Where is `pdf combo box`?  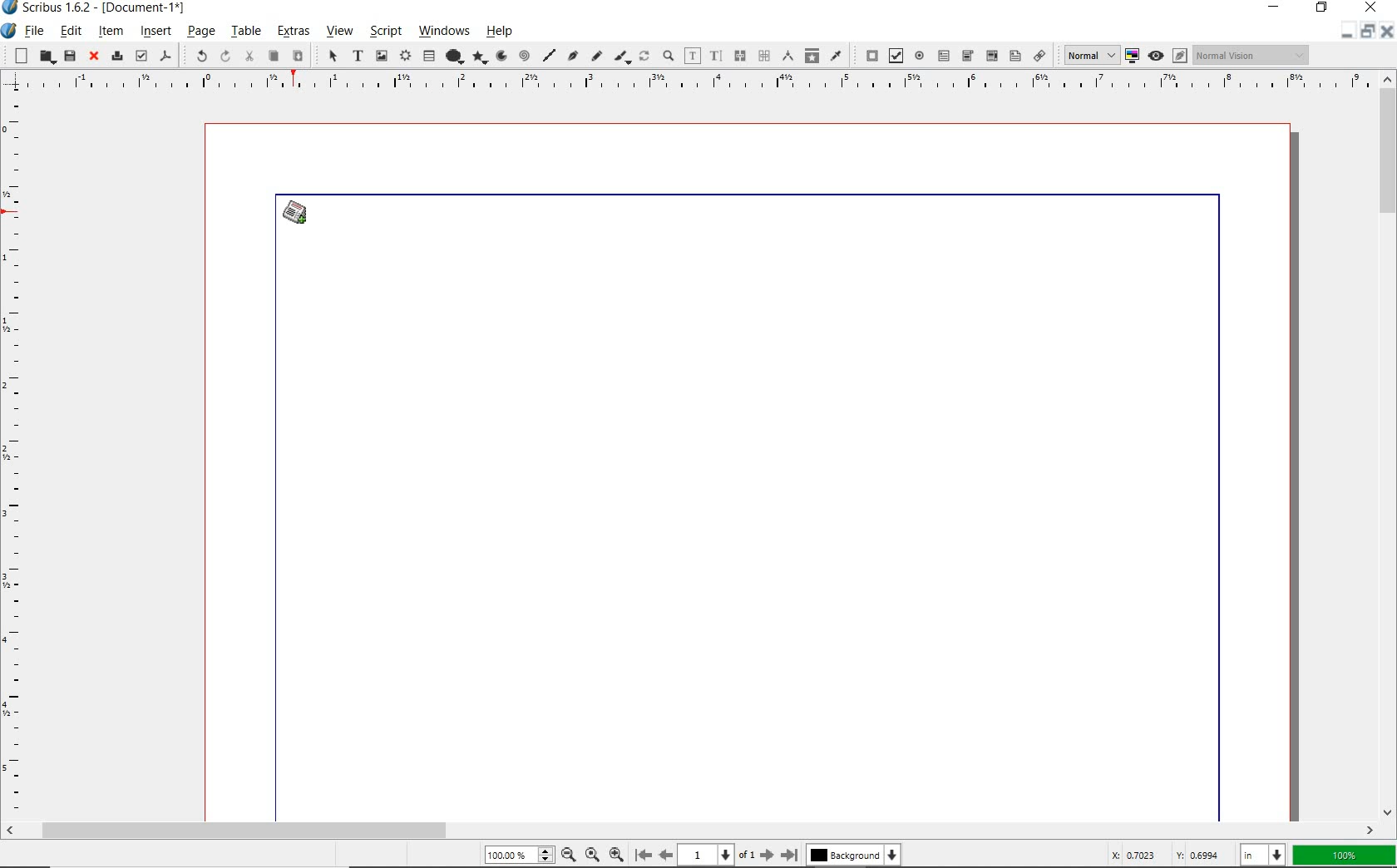
pdf combo box is located at coordinates (967, 56).